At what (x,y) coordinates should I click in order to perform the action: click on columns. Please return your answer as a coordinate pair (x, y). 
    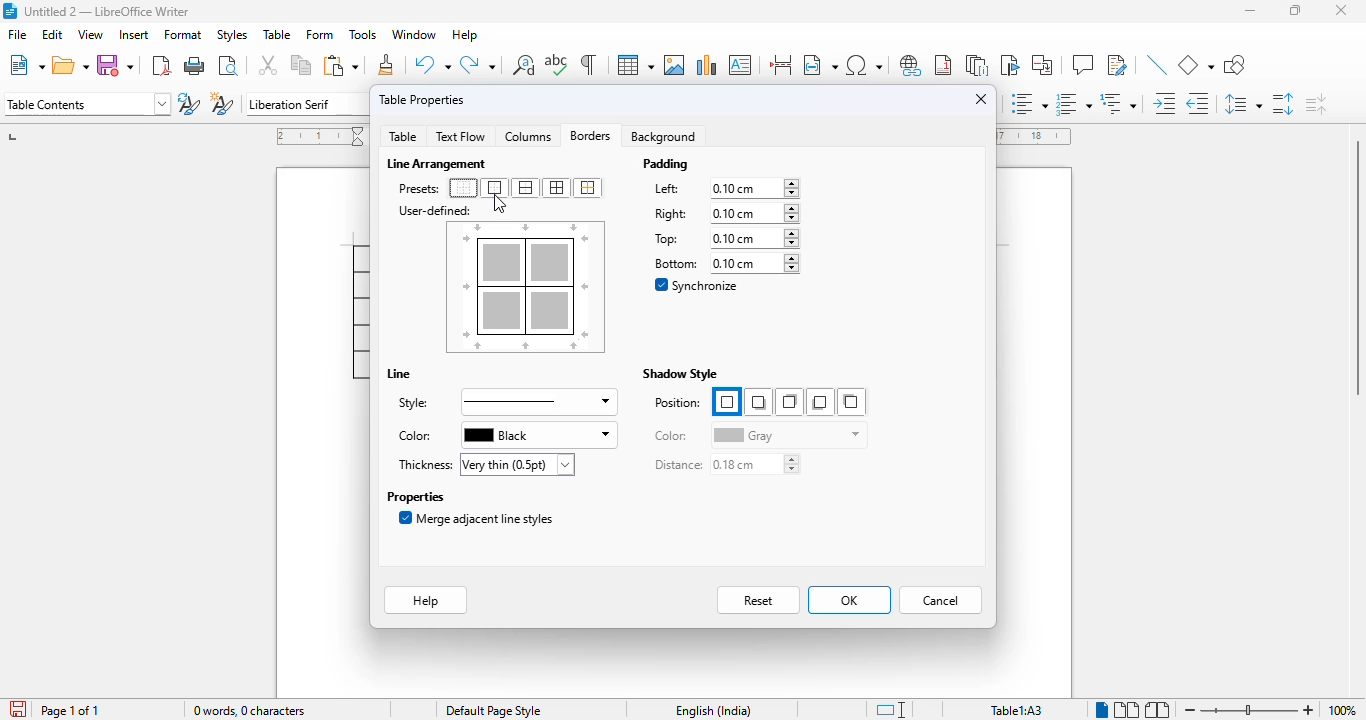
    Looking at the image, I should click on (527, 135).